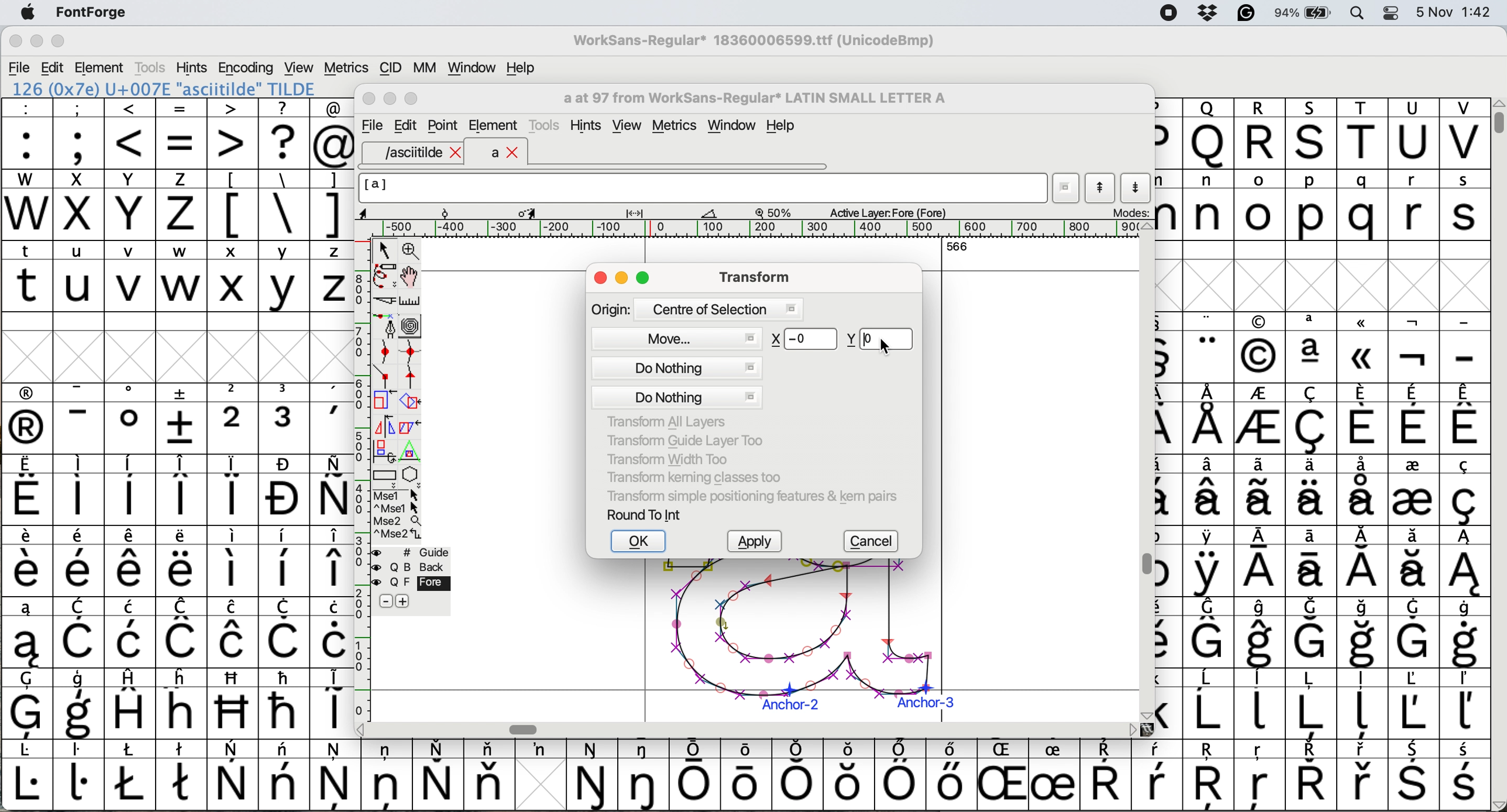  Describe the element at coordinates (949, 774) in the screenshot. I see `symbol` at that location.